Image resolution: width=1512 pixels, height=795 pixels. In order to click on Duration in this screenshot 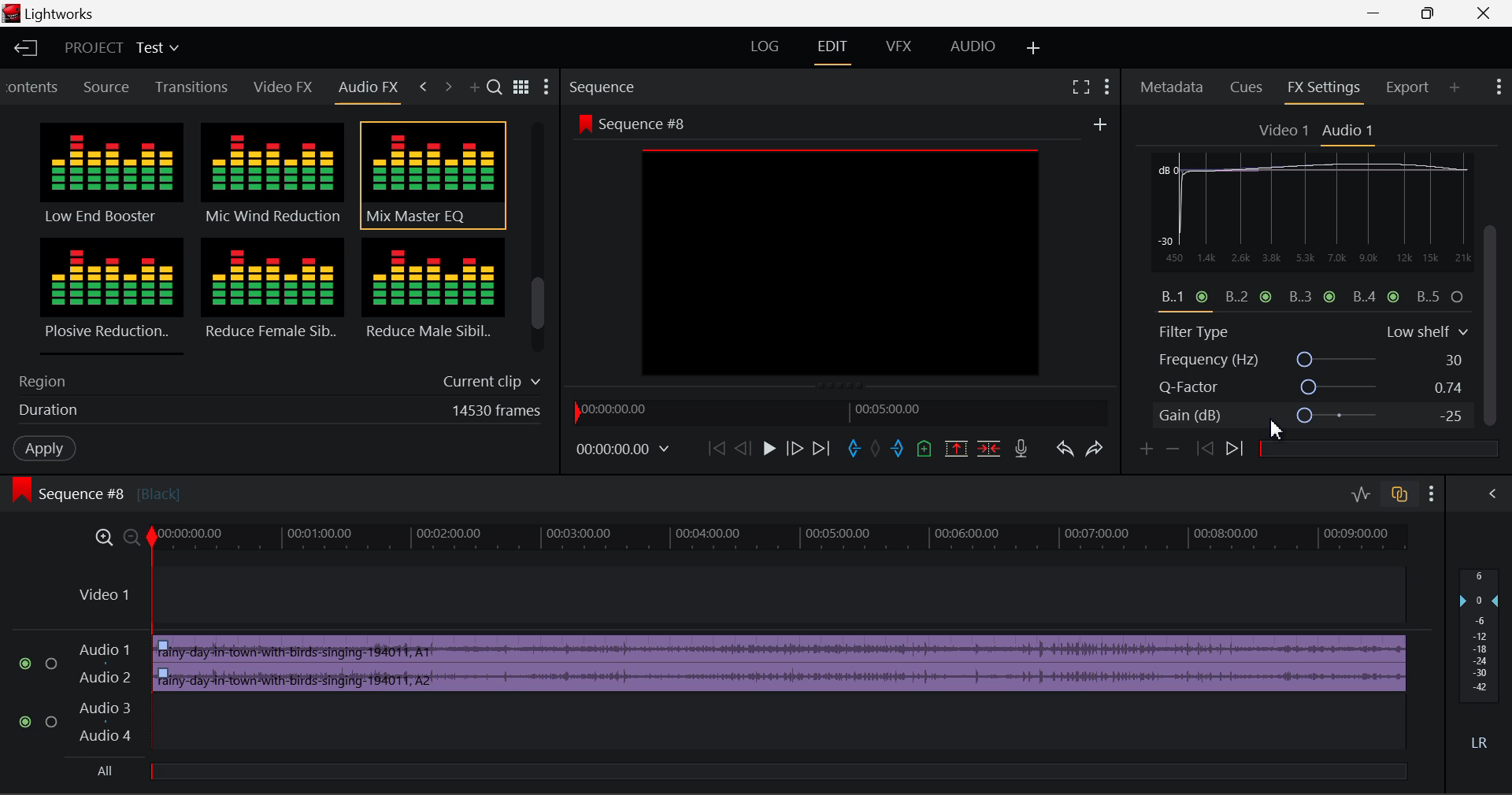, I will do `click(275, 413)`.